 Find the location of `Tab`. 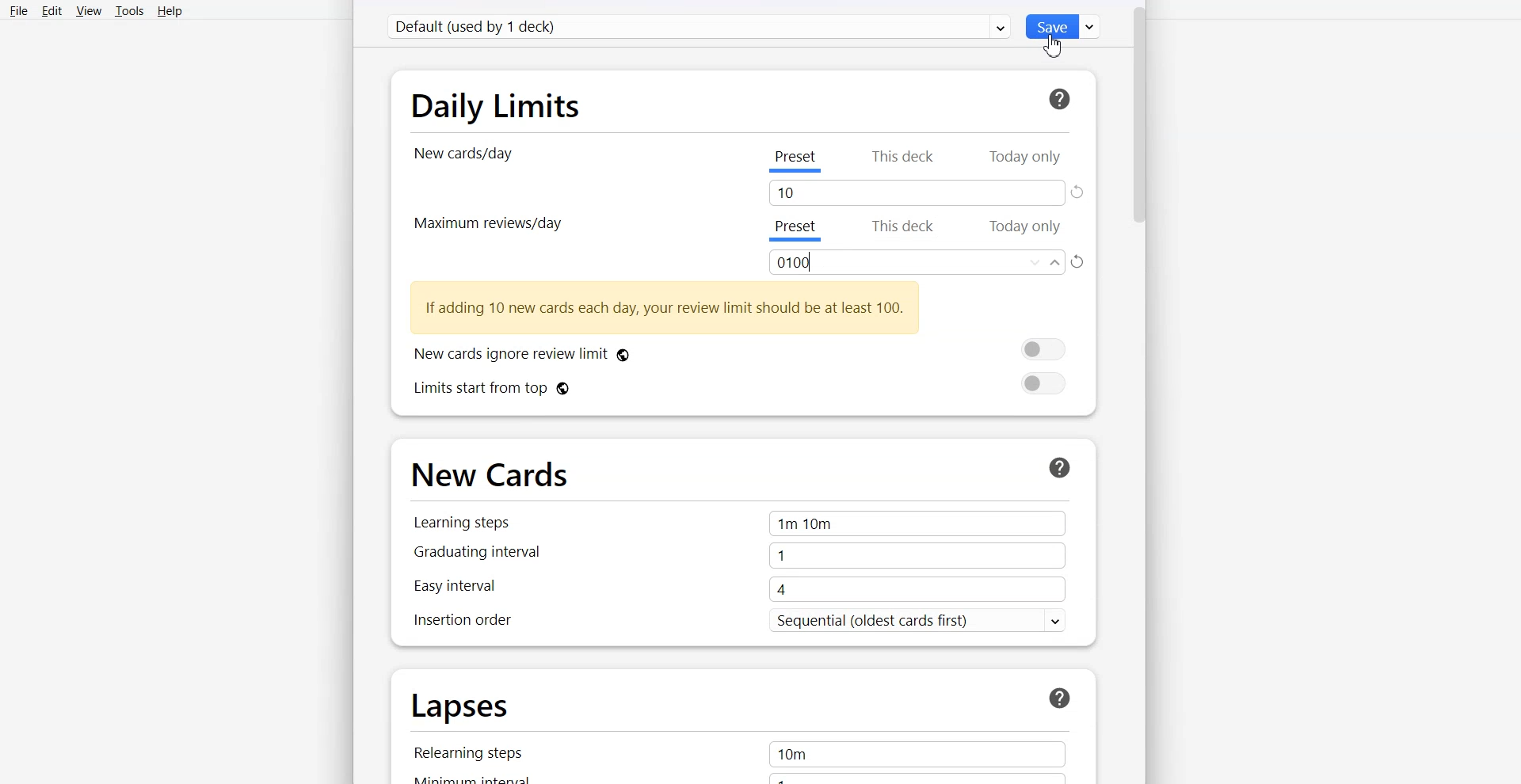

Tab is located at coordinates (917, 193).